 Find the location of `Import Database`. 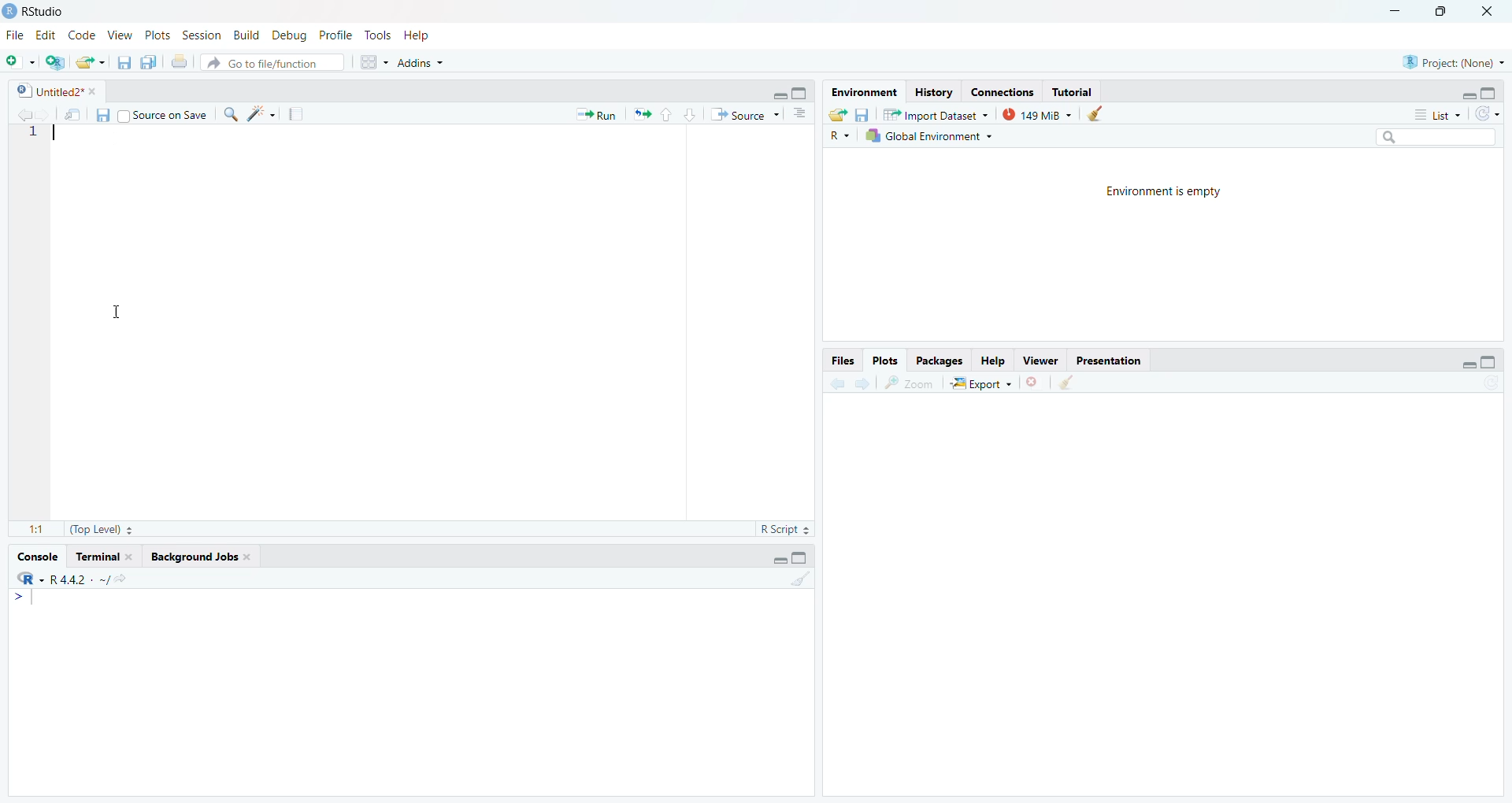

Import Database is located at coordinates (936, 116).